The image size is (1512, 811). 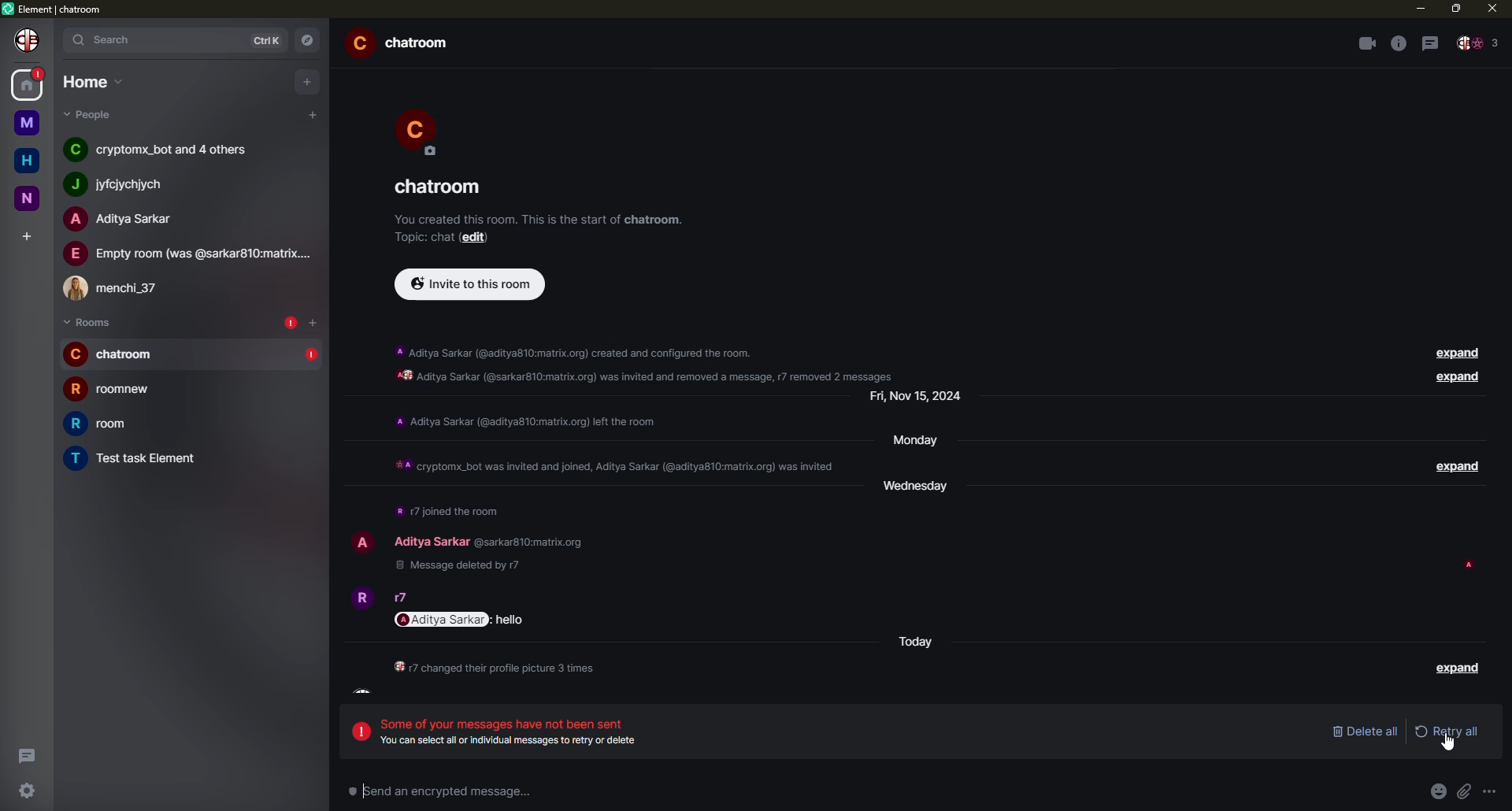 What do you see at coordinates (310, 355) in the screenshot?
I see `error` at bounding box center [310, 355].